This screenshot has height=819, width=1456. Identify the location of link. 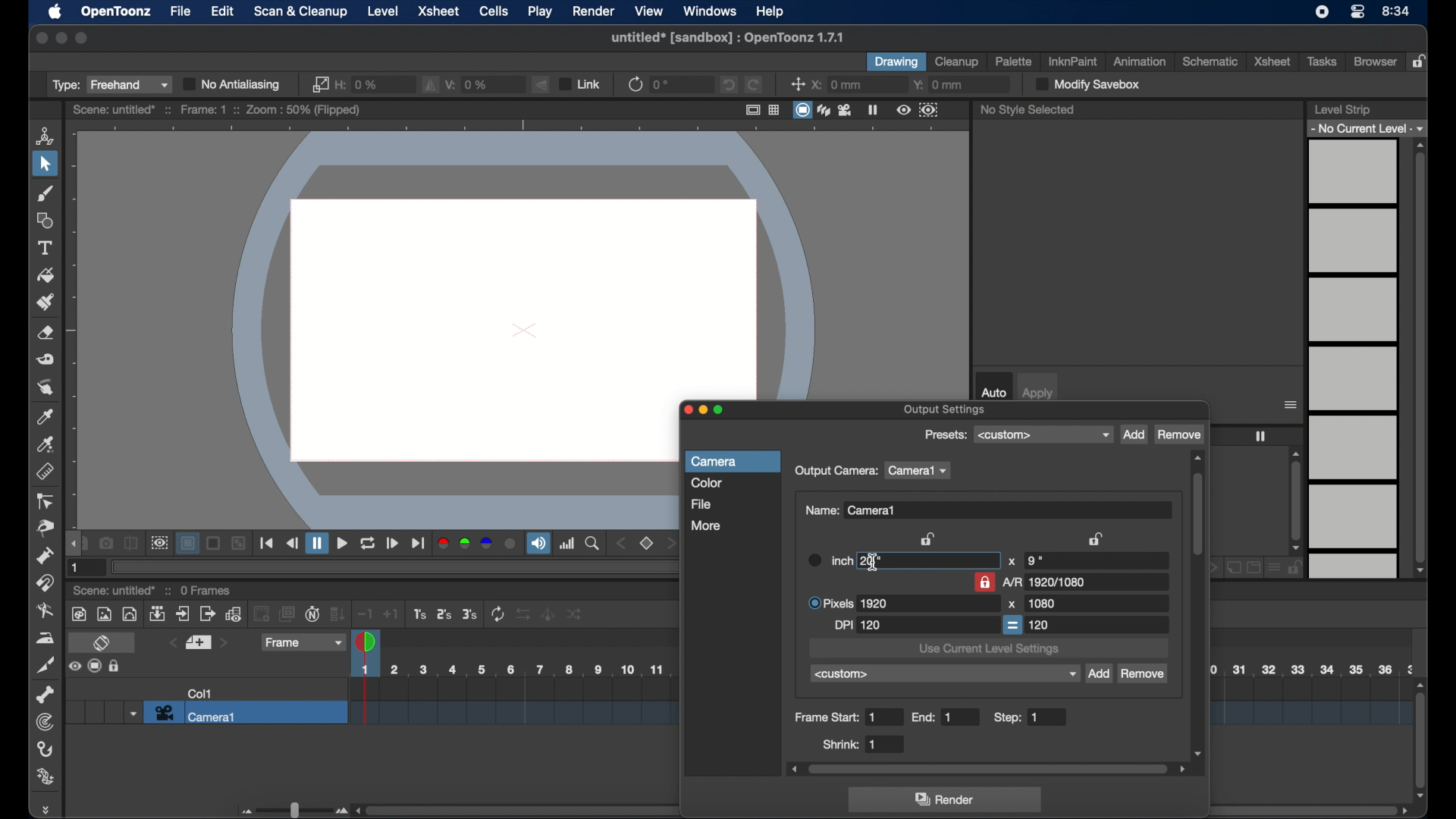
(579, 83).